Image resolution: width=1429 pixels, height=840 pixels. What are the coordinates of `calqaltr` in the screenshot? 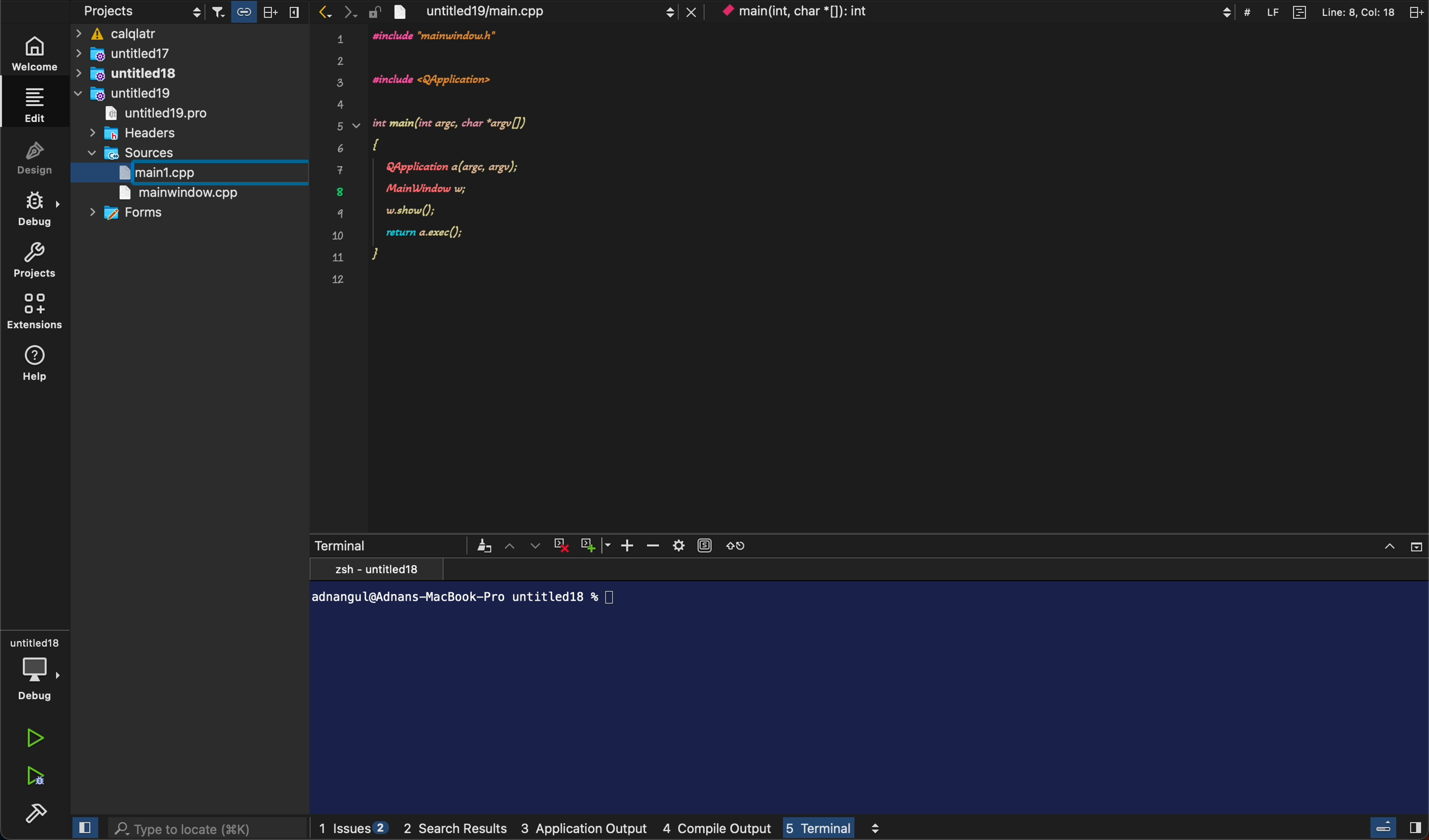 It's located at (192, 35).